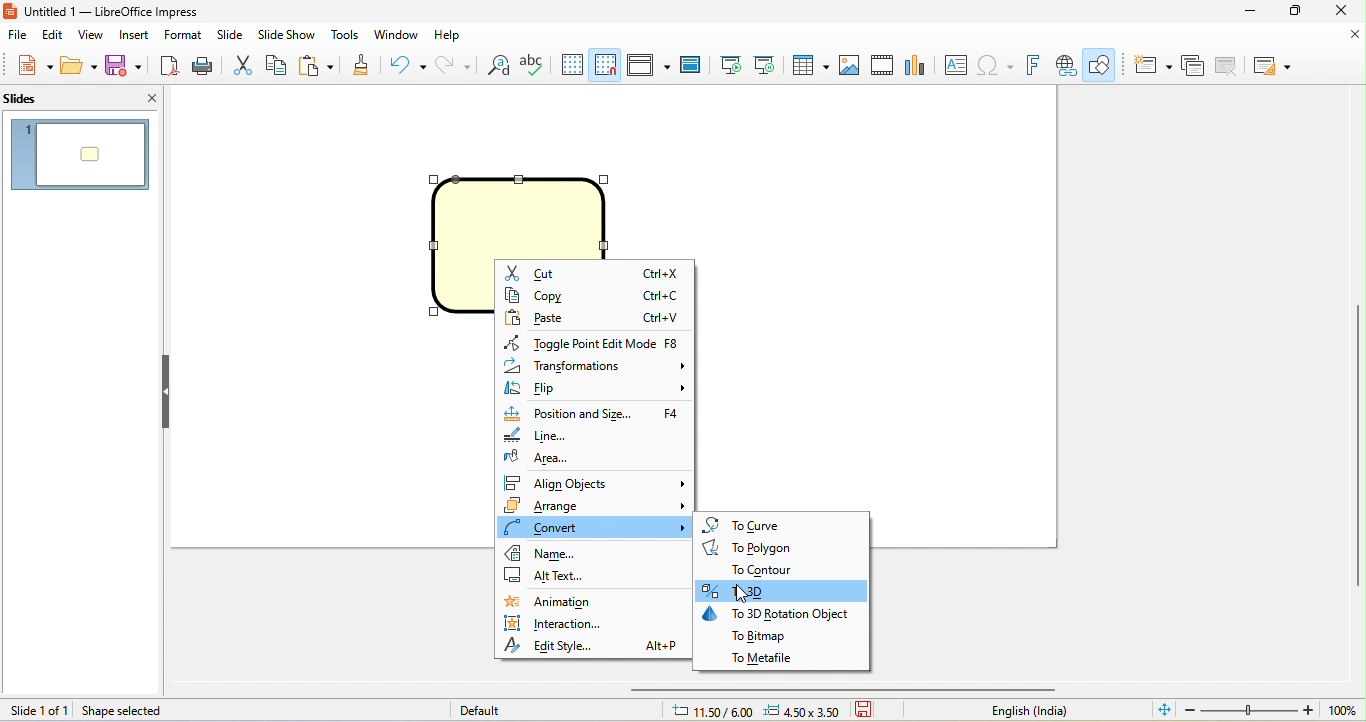  I want to click on arrange, so click(595, 505).